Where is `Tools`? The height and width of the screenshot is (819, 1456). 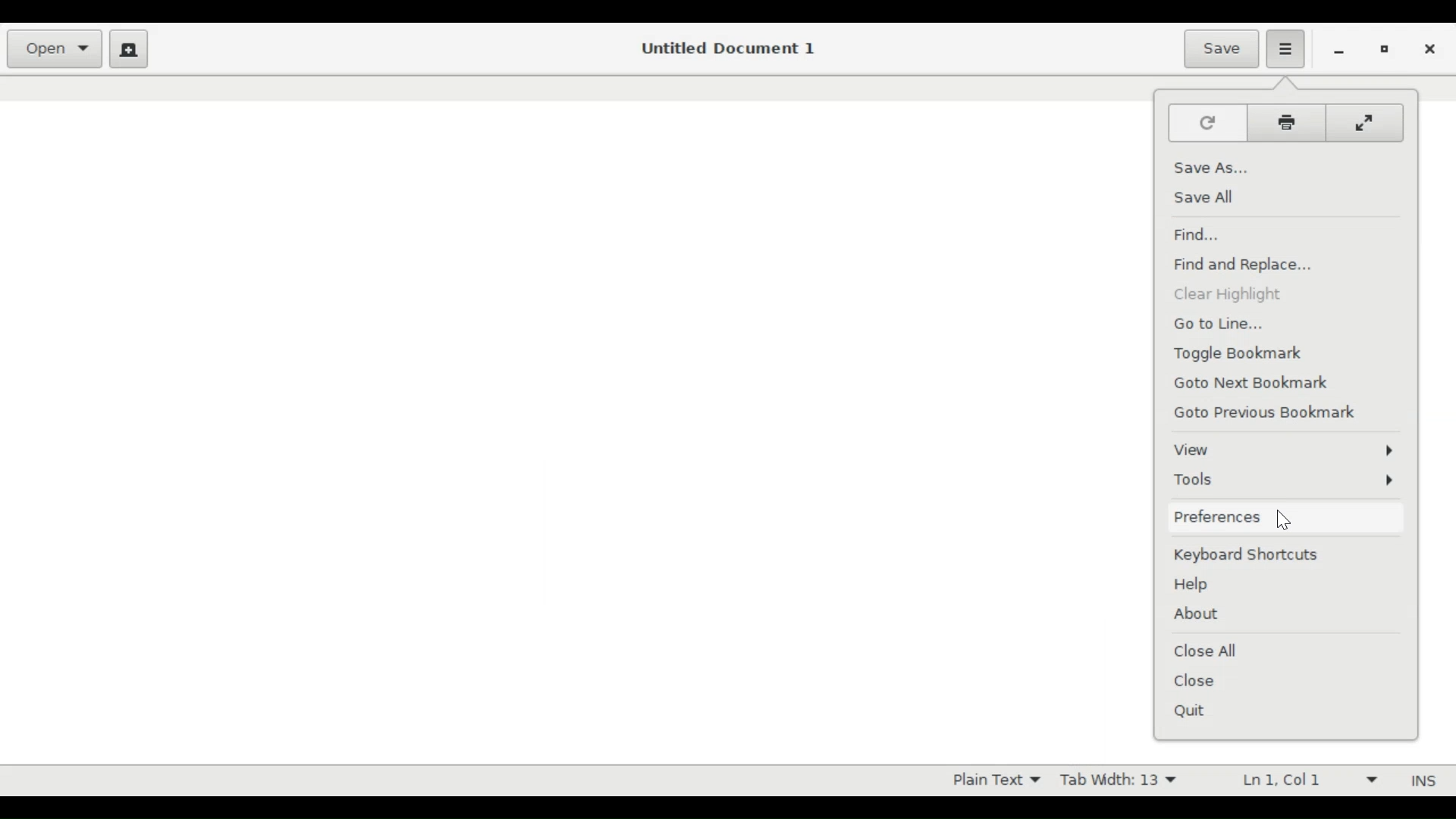
Tools is located at coordinates (1285, 481).